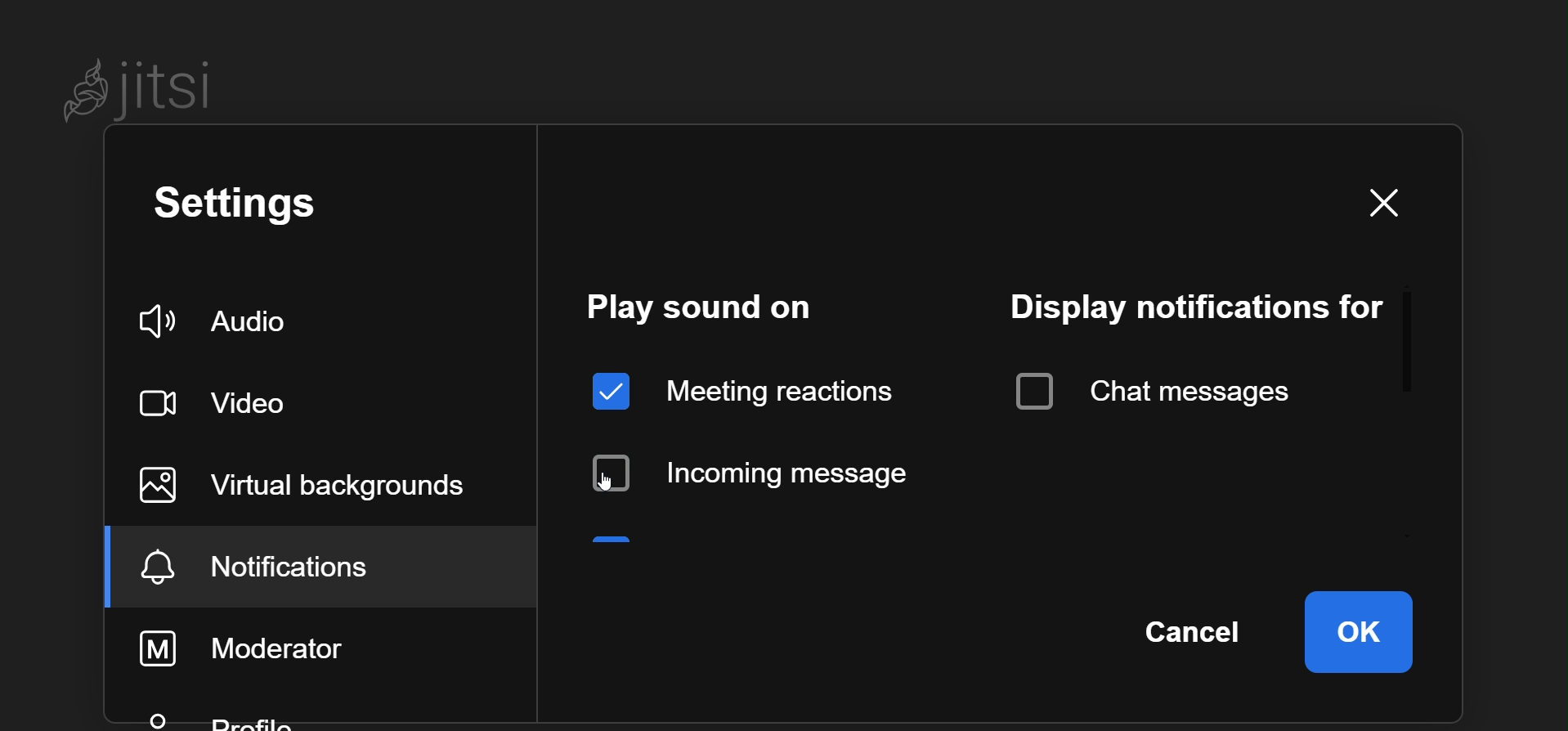  What do you see at coordinates (1360, 630) in the screenshot?
I see `ok` at bounding box center [1360, 630].